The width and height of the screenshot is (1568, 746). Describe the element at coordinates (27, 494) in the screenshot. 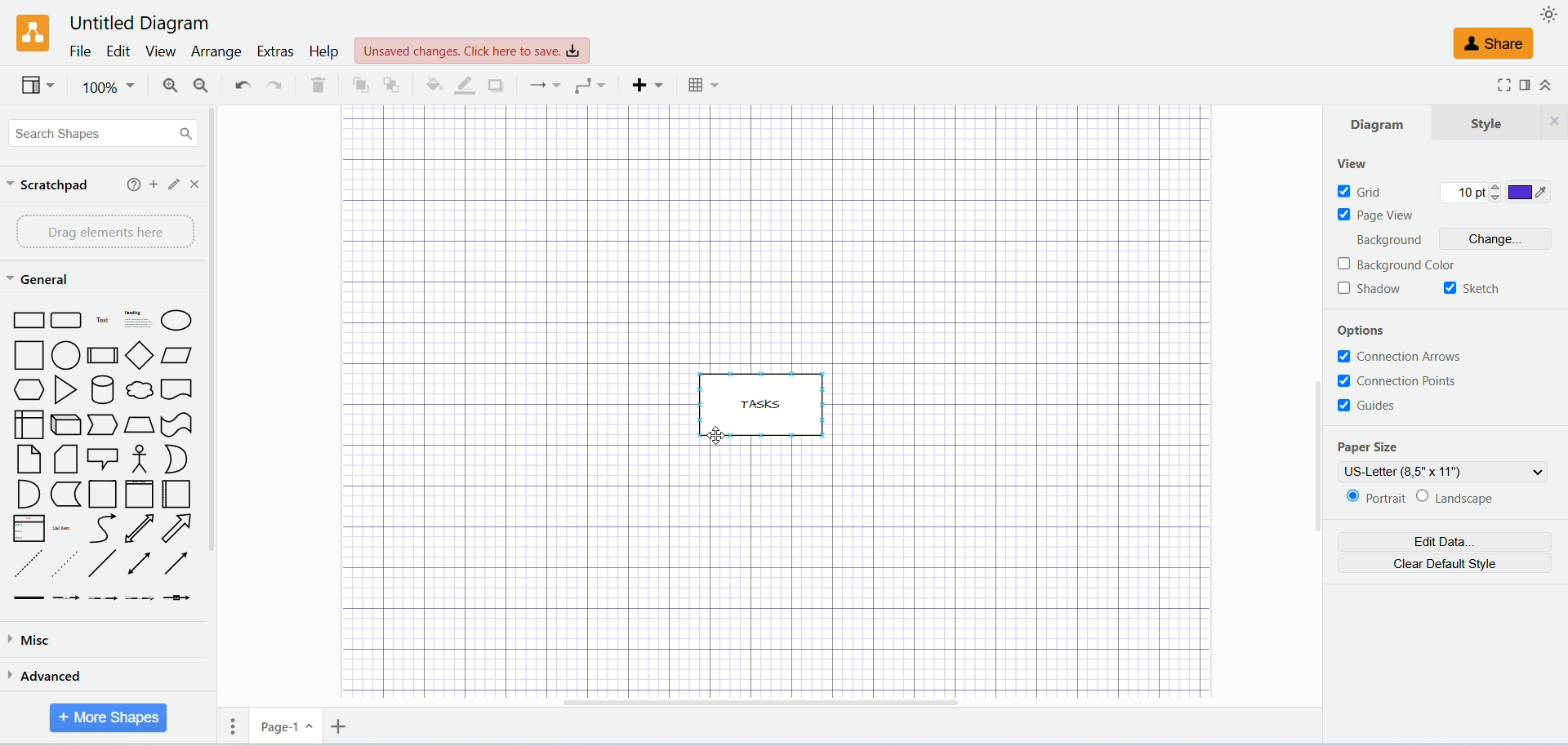

I see `And` at that location.